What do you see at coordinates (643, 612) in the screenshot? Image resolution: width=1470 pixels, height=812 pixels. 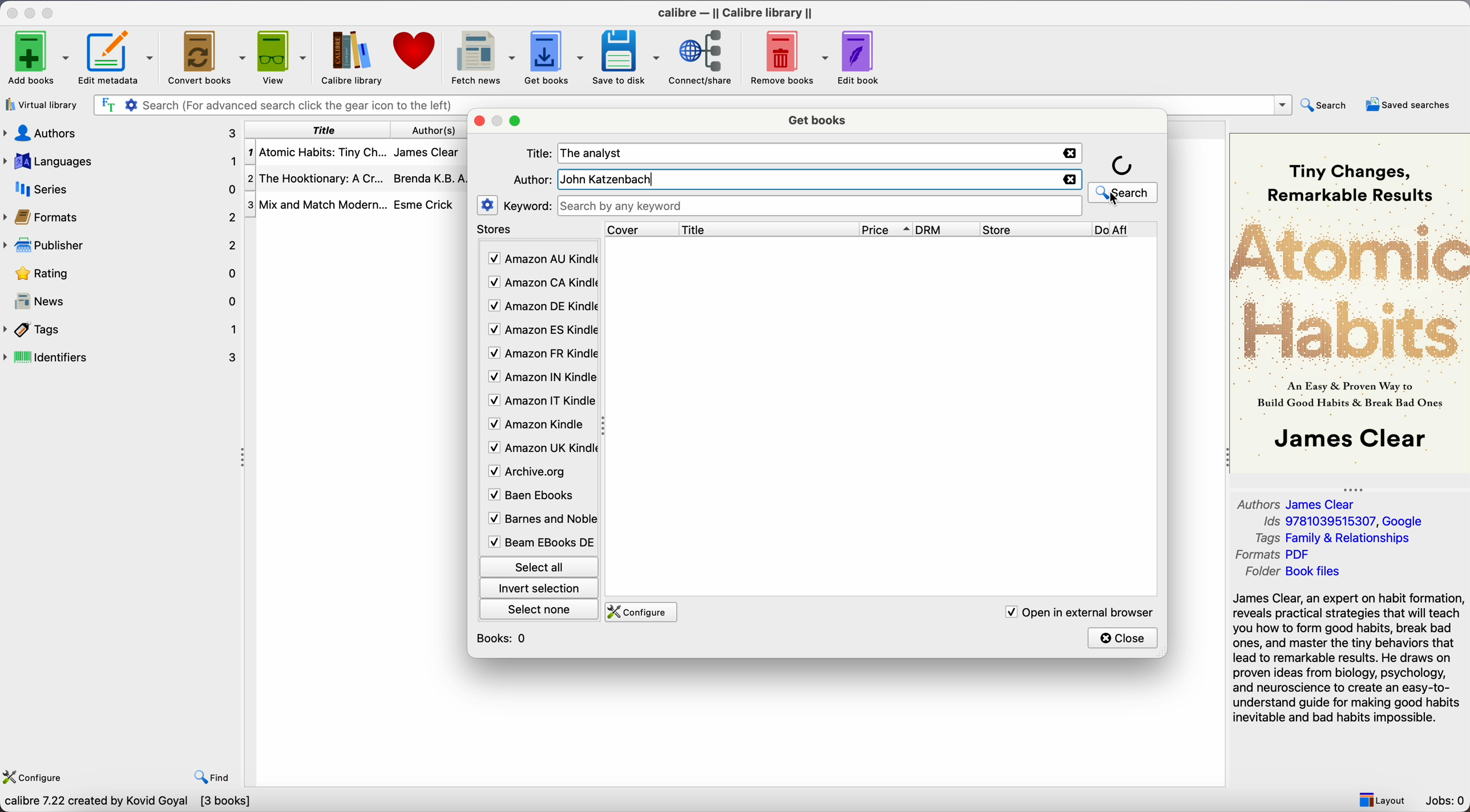 I see `configure` at bounding box center [643, 612].